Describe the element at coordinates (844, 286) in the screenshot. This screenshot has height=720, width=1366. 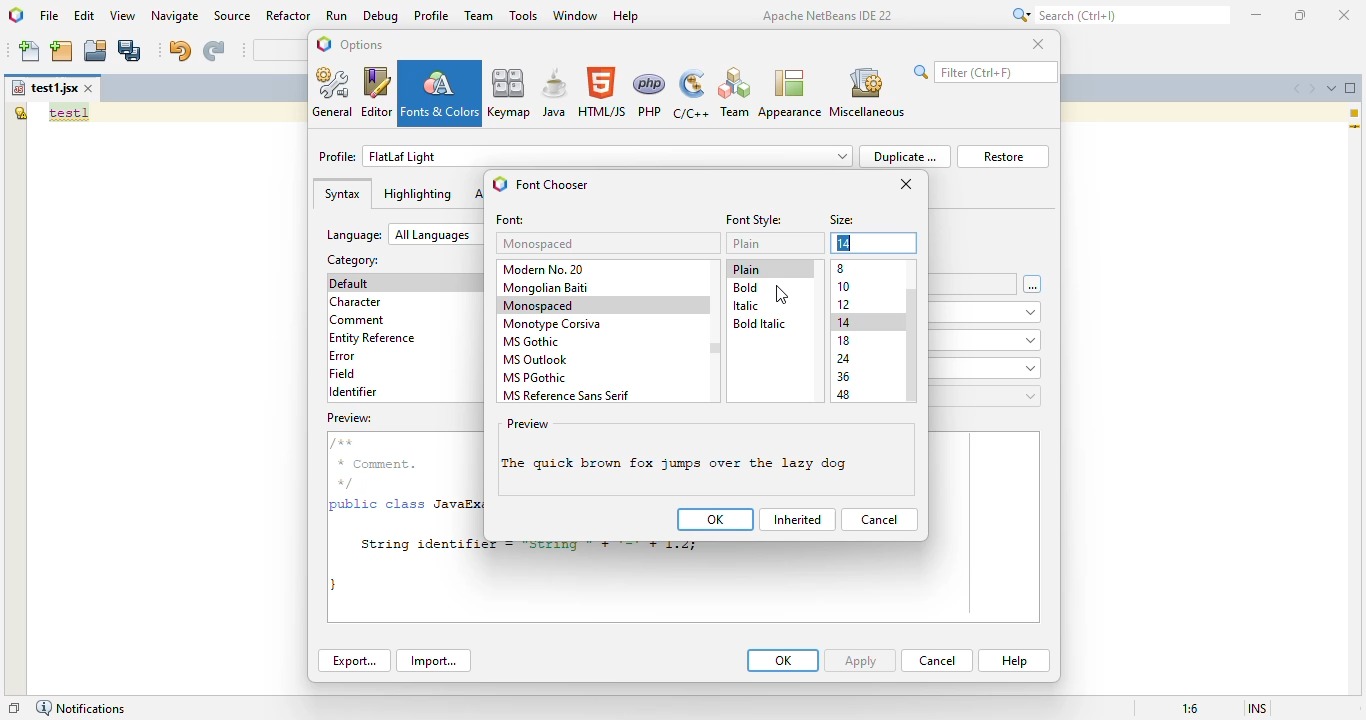
I see `10` at that location.